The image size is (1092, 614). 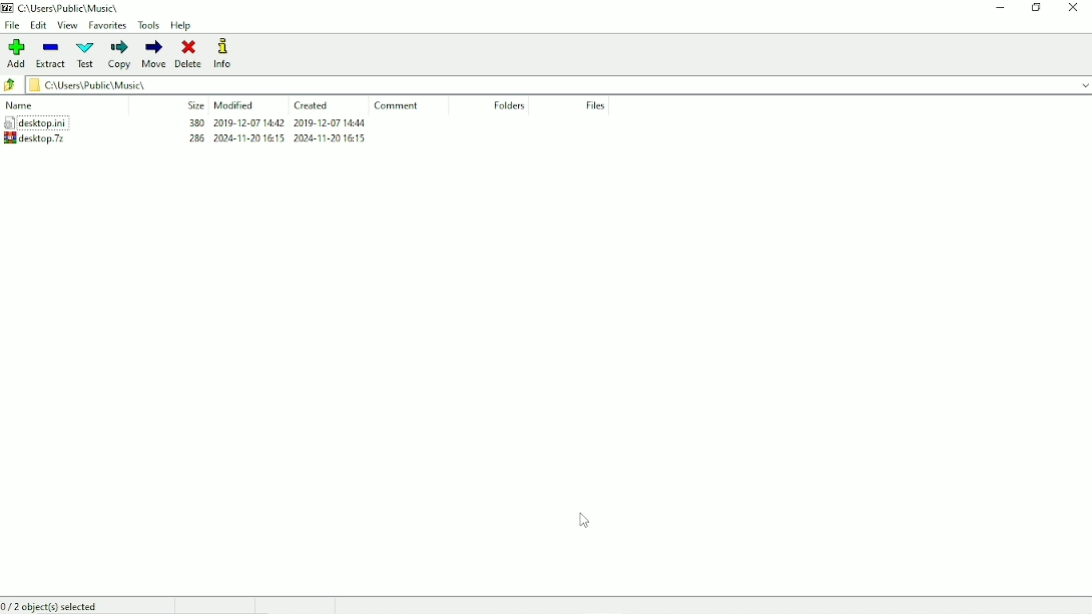 I want to click on File, so click(x=596, y=106).